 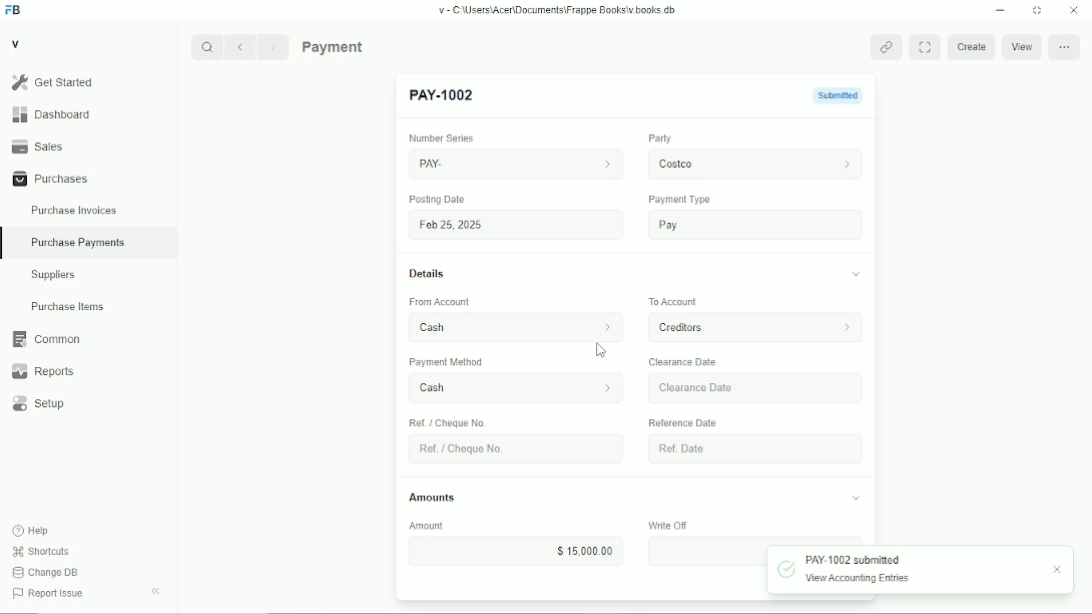 I want to click on $15,000, so click(x=515, y=550).